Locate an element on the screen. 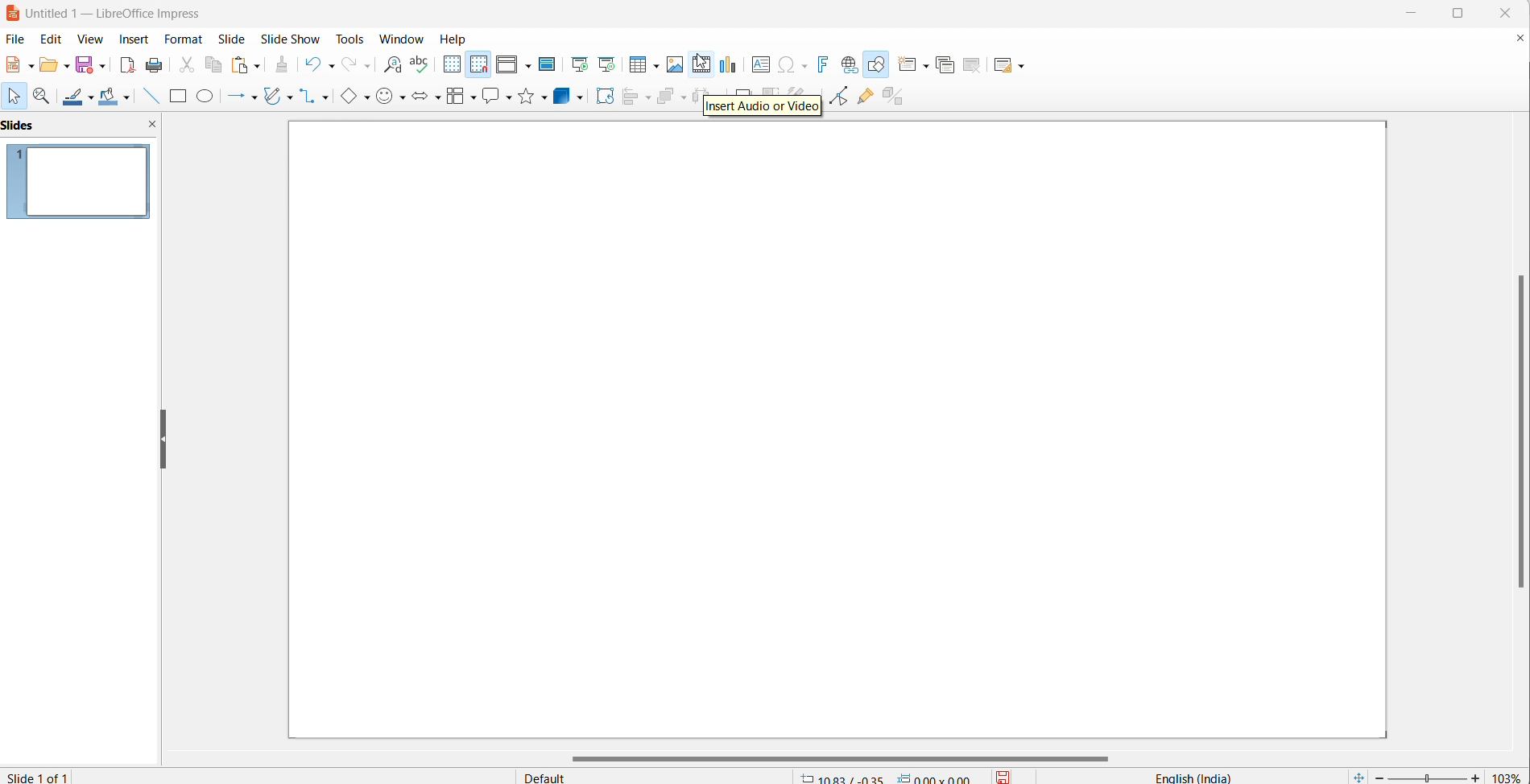 The height and width of the screenshot is (784, 1530). cut is located at coordinates (183, 65).